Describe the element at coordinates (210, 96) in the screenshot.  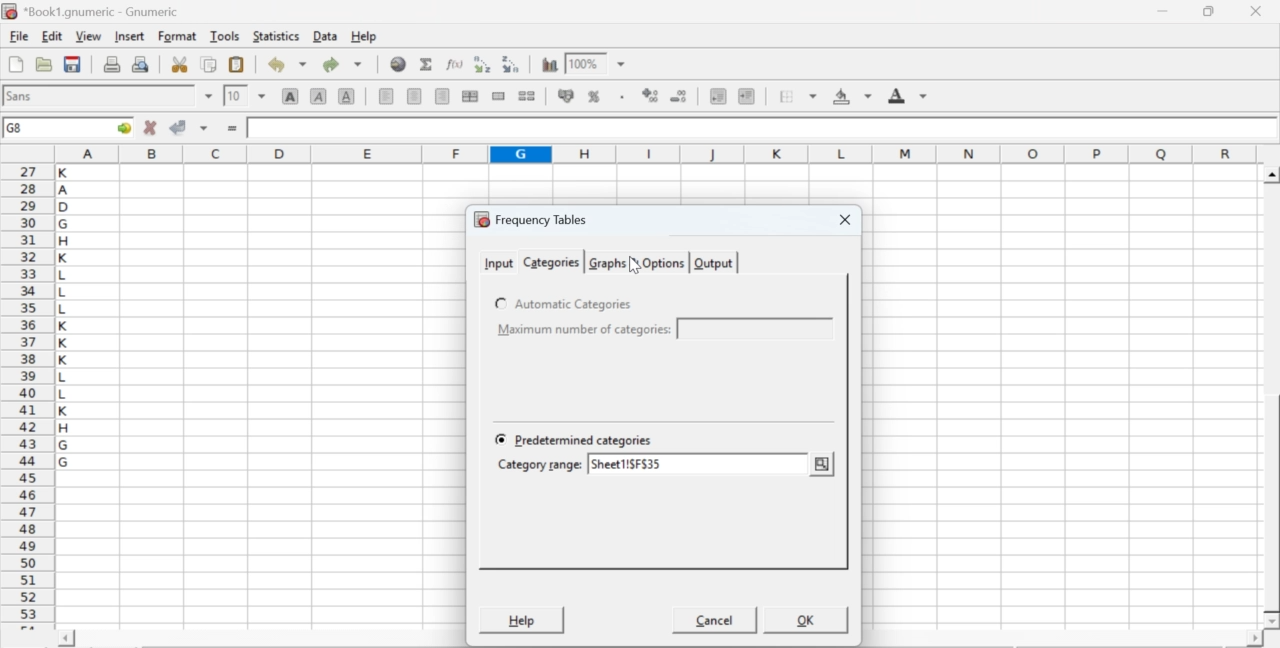
I see `drop down` at that location.